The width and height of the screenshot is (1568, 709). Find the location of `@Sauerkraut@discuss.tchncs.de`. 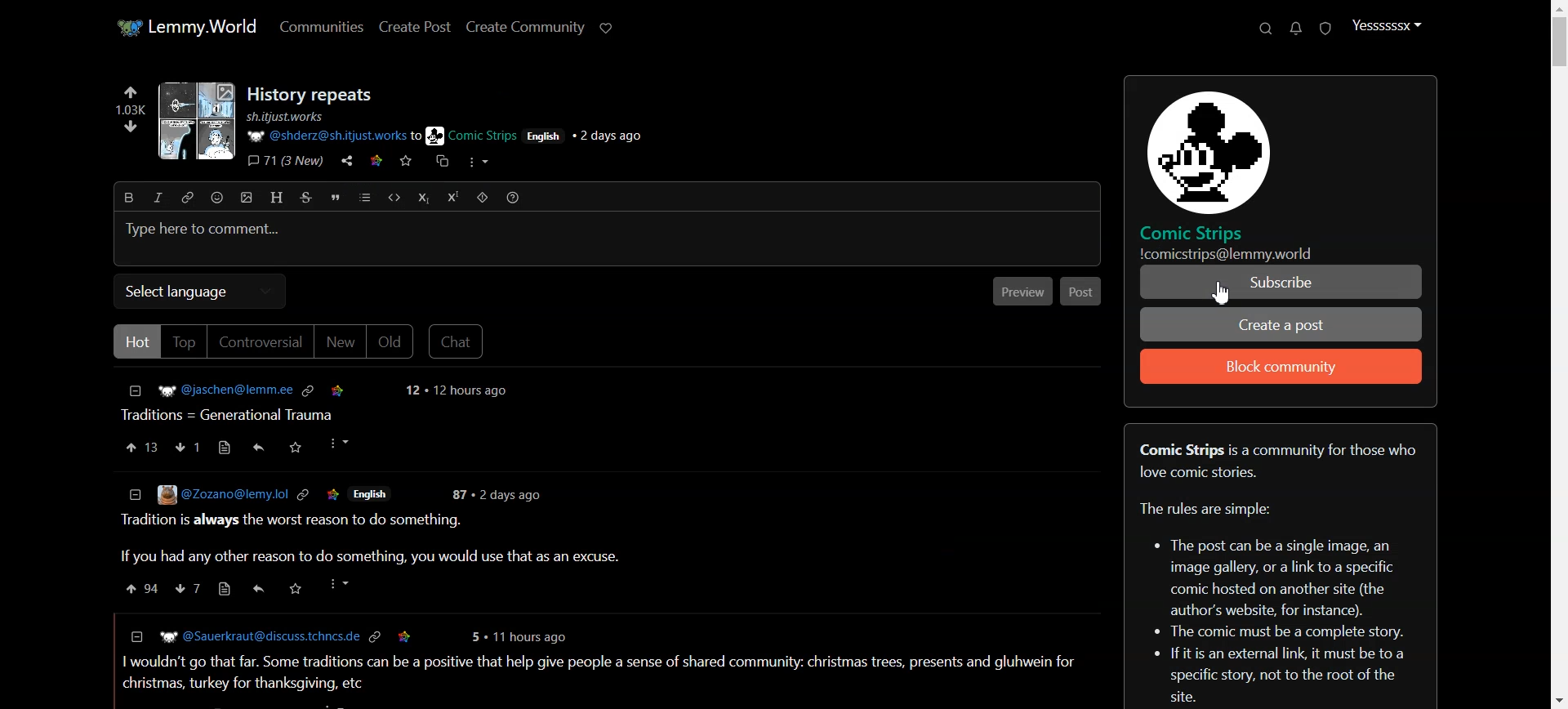

@Sauerkraut@discuss.tchncs.de is located at coordinates (247, 636).